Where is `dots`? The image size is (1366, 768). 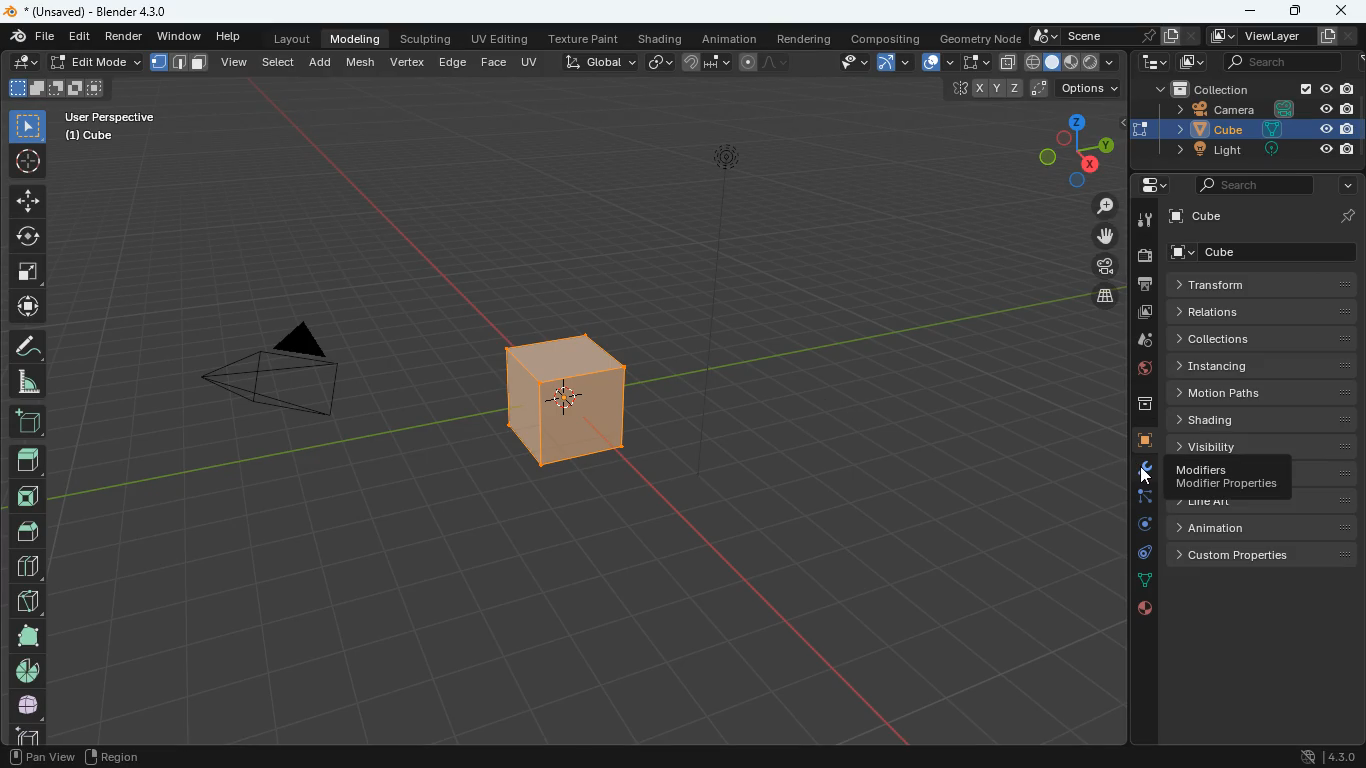 dots is located at coordinates (1141, 582).